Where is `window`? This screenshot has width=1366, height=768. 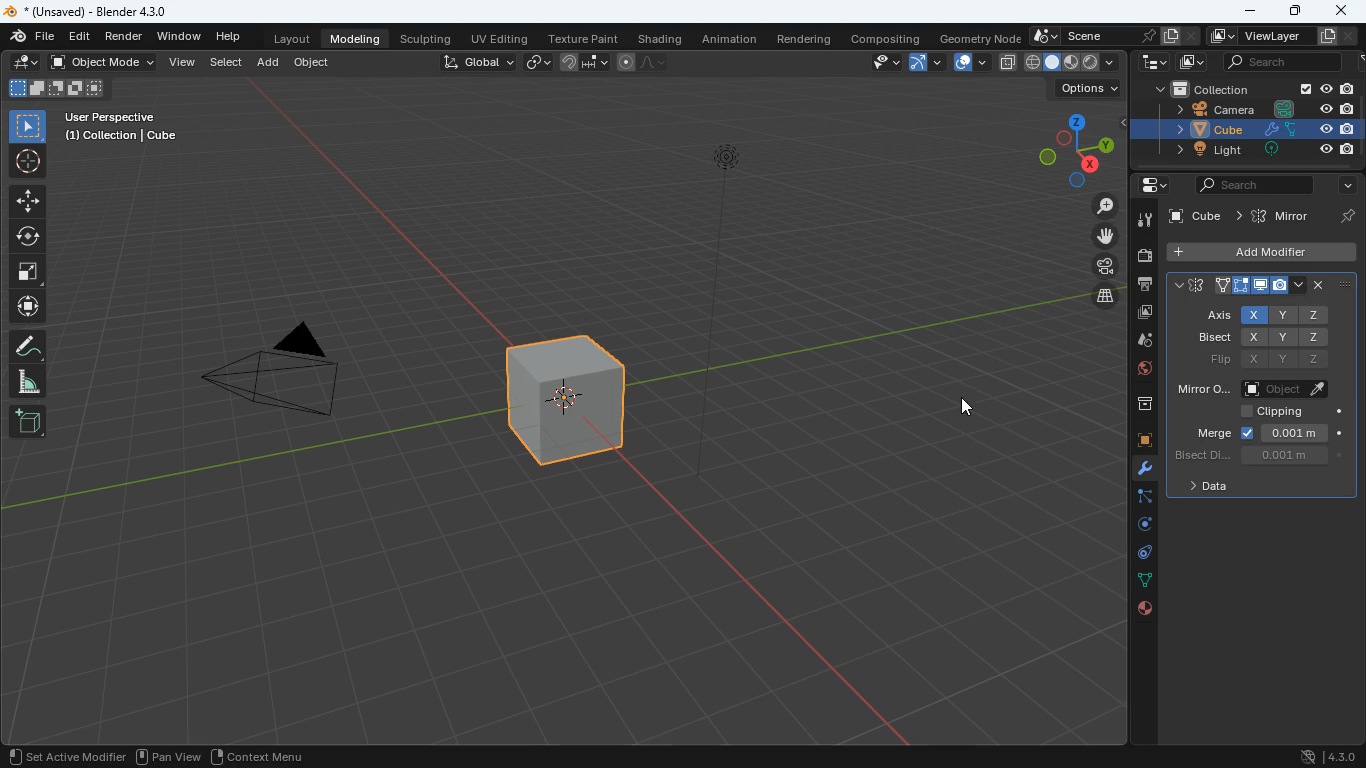 window is located at coordinates (178, 35).